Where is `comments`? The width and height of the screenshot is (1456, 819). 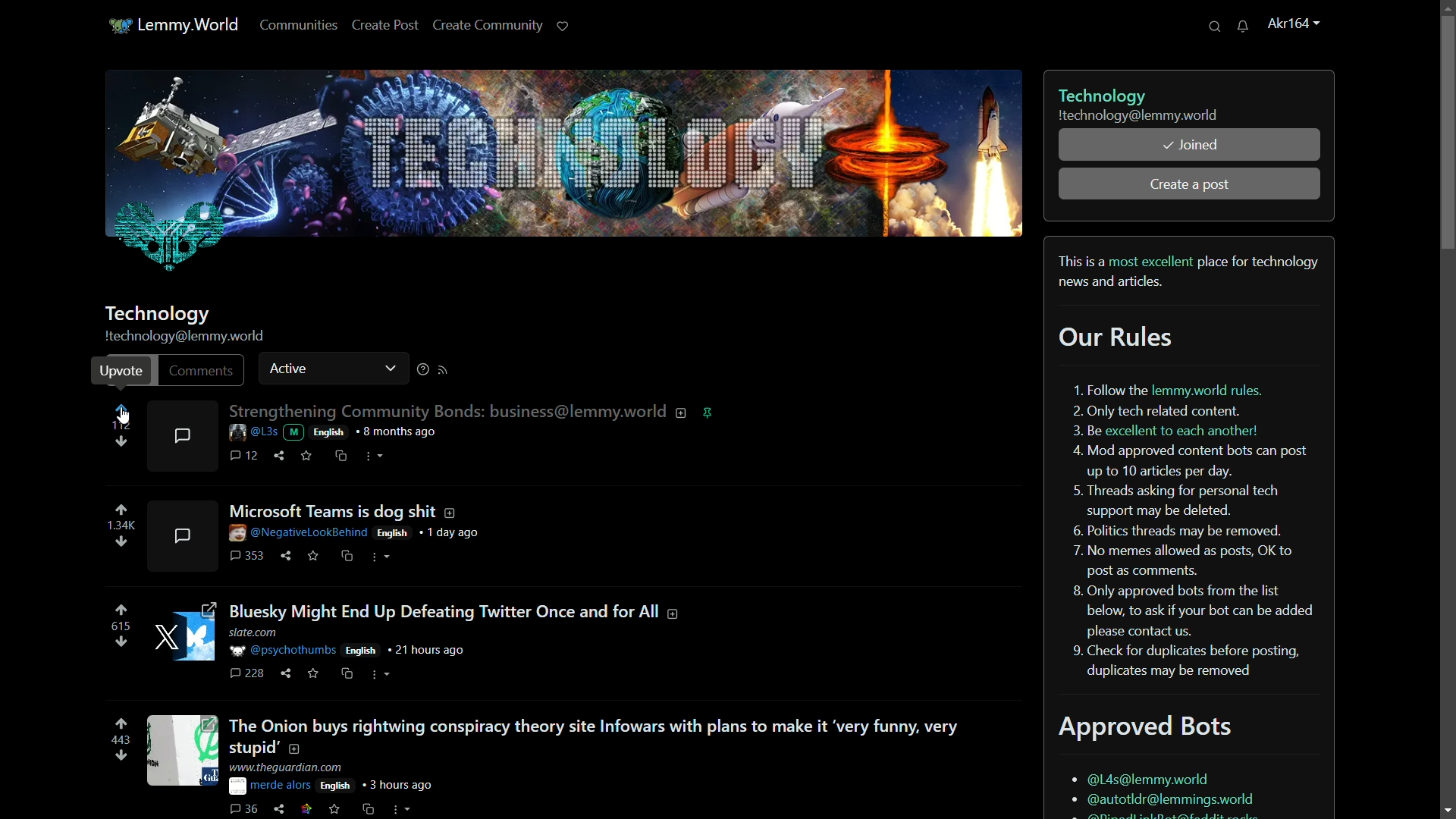
comments is located at coordinates (247, 554).